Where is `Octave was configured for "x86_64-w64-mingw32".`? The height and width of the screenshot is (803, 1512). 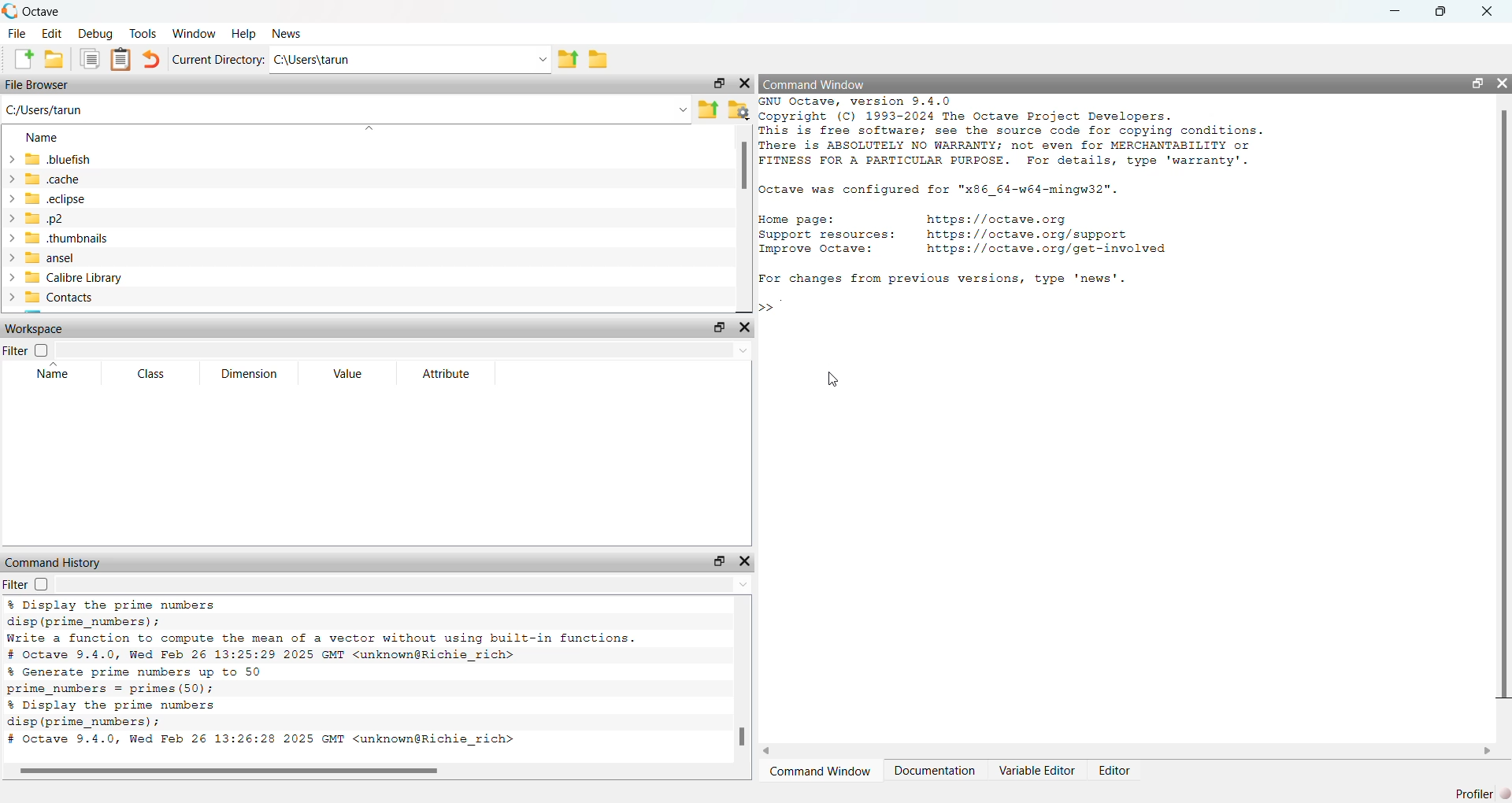 Octave was configured for "x86_64-w64-mingw32". is located at coordinates (943, 191).